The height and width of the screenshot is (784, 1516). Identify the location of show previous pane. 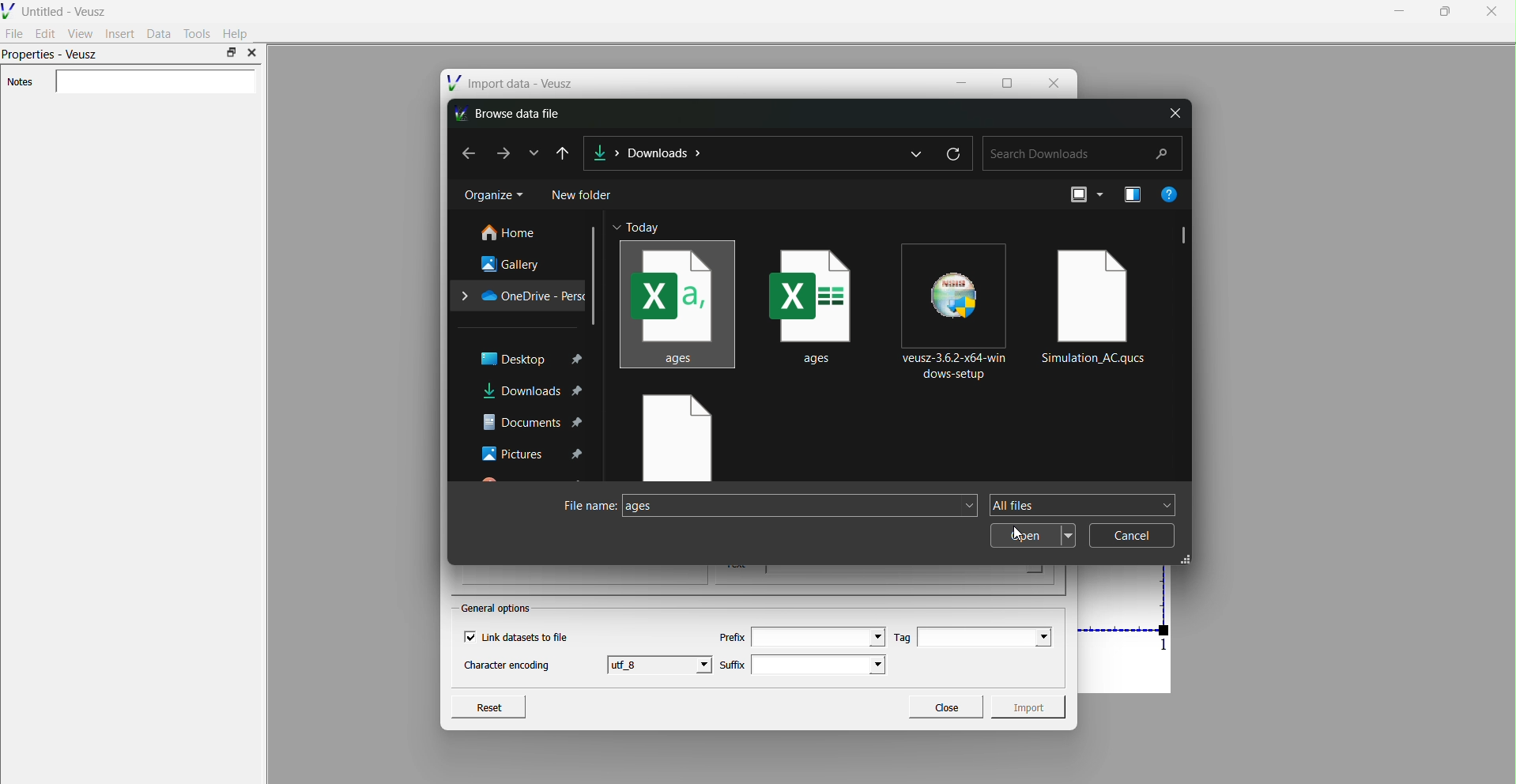
(1135, 195).